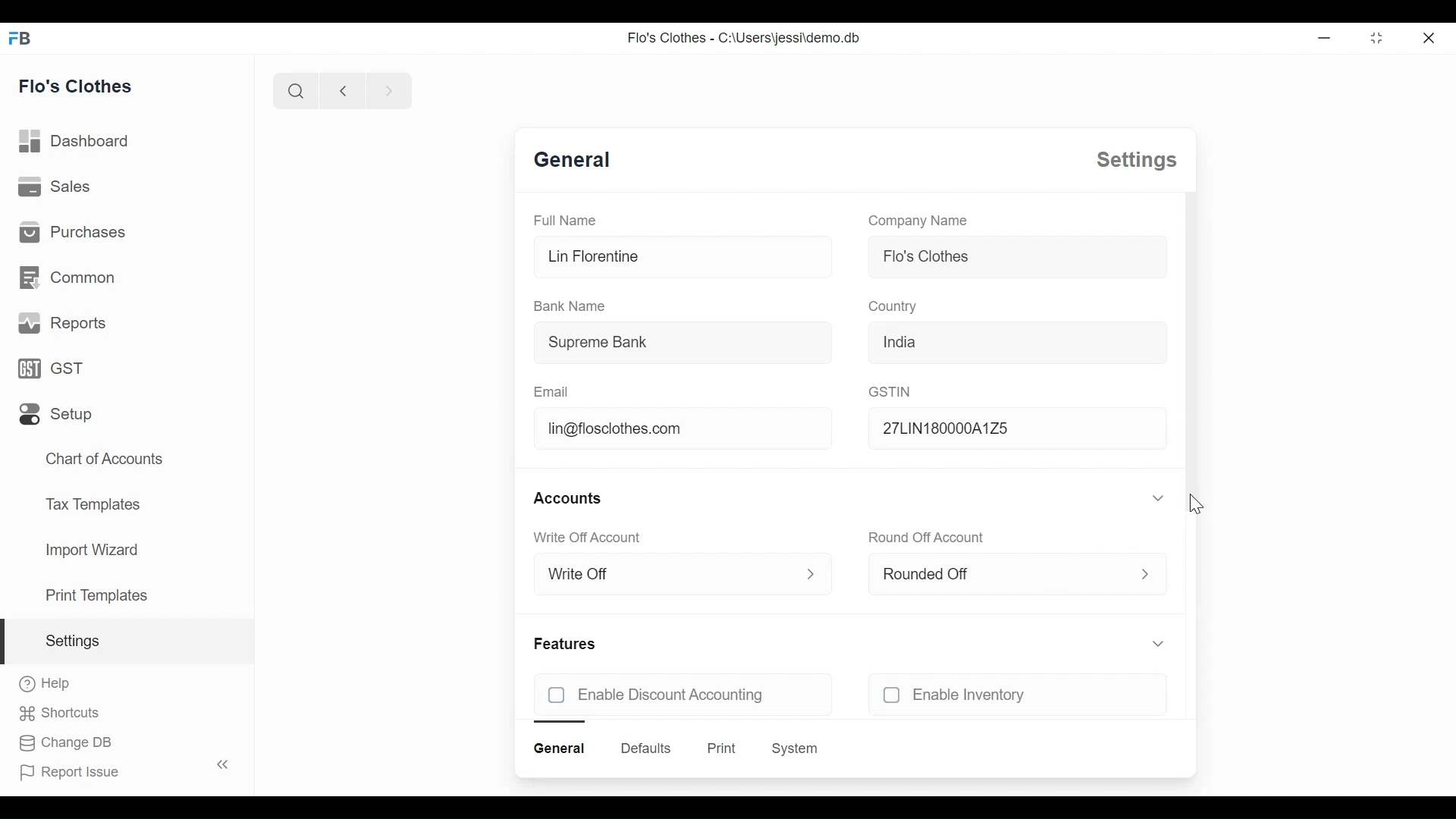 Image resolution: width=1456 pixels, height=819 pixels. I want to click on Full Name, so click(561, 220).